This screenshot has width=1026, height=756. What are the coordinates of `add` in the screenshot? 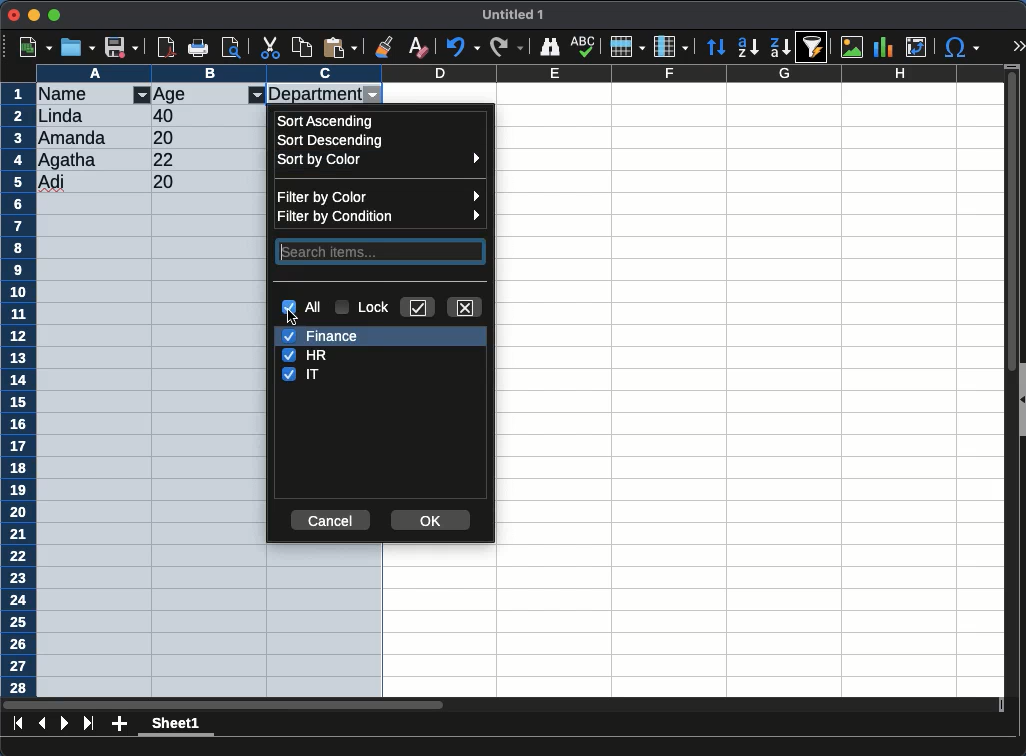 It's located at (119, 725).